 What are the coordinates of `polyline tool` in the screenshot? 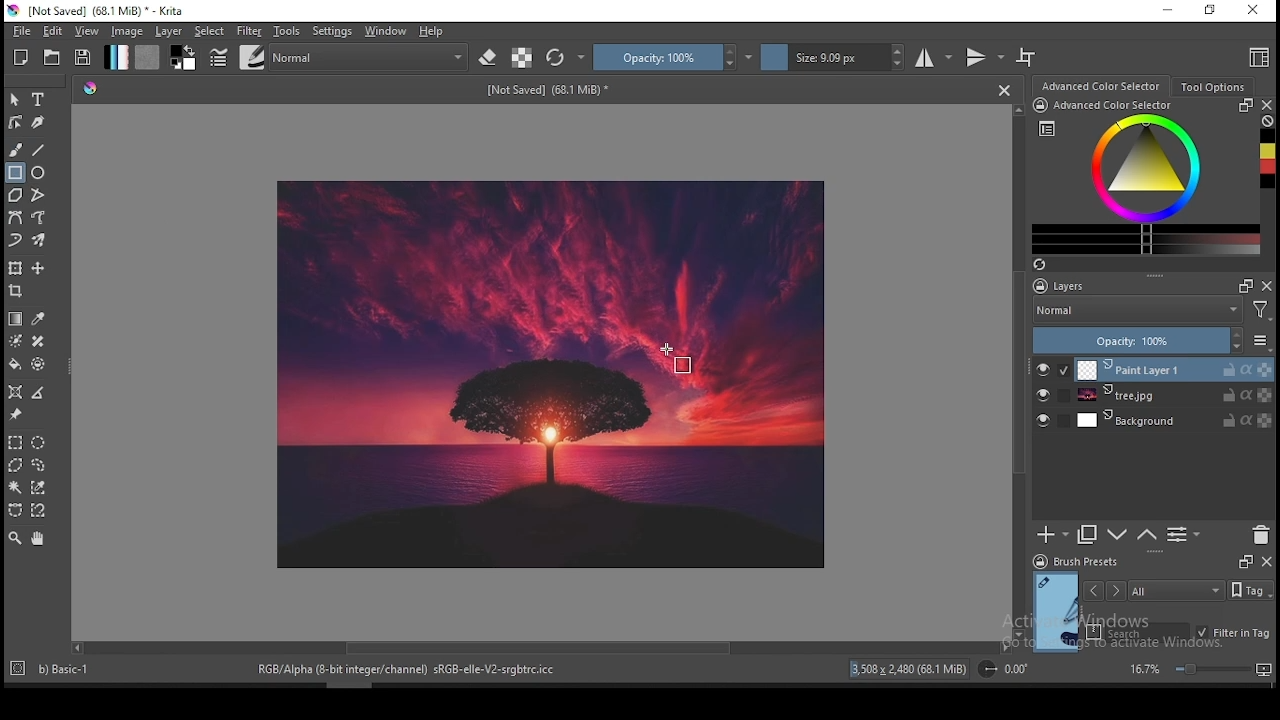 It's located at (38, 194).